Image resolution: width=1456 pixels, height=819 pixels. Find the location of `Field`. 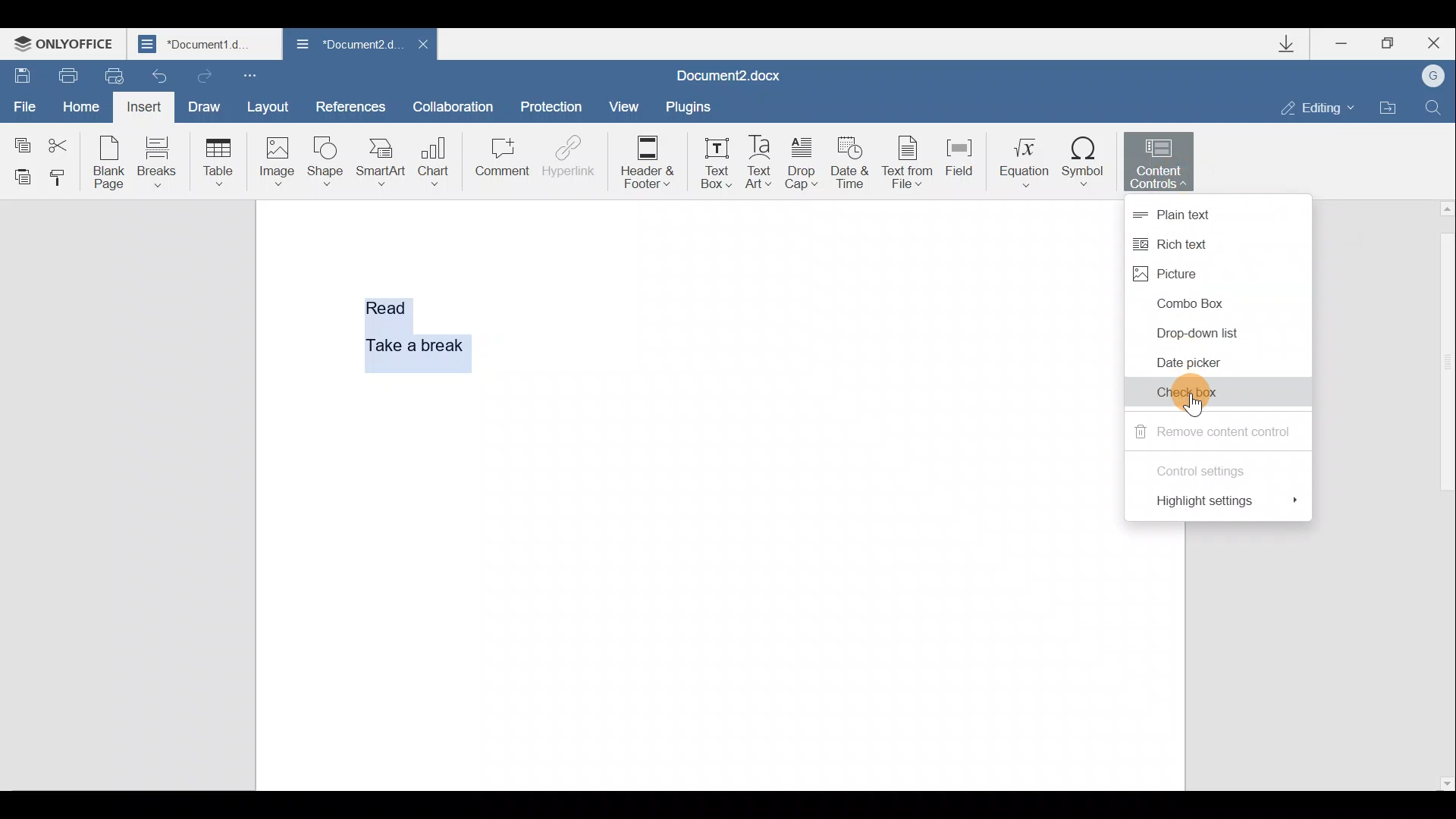

Field is located at coordinates (959, 163).